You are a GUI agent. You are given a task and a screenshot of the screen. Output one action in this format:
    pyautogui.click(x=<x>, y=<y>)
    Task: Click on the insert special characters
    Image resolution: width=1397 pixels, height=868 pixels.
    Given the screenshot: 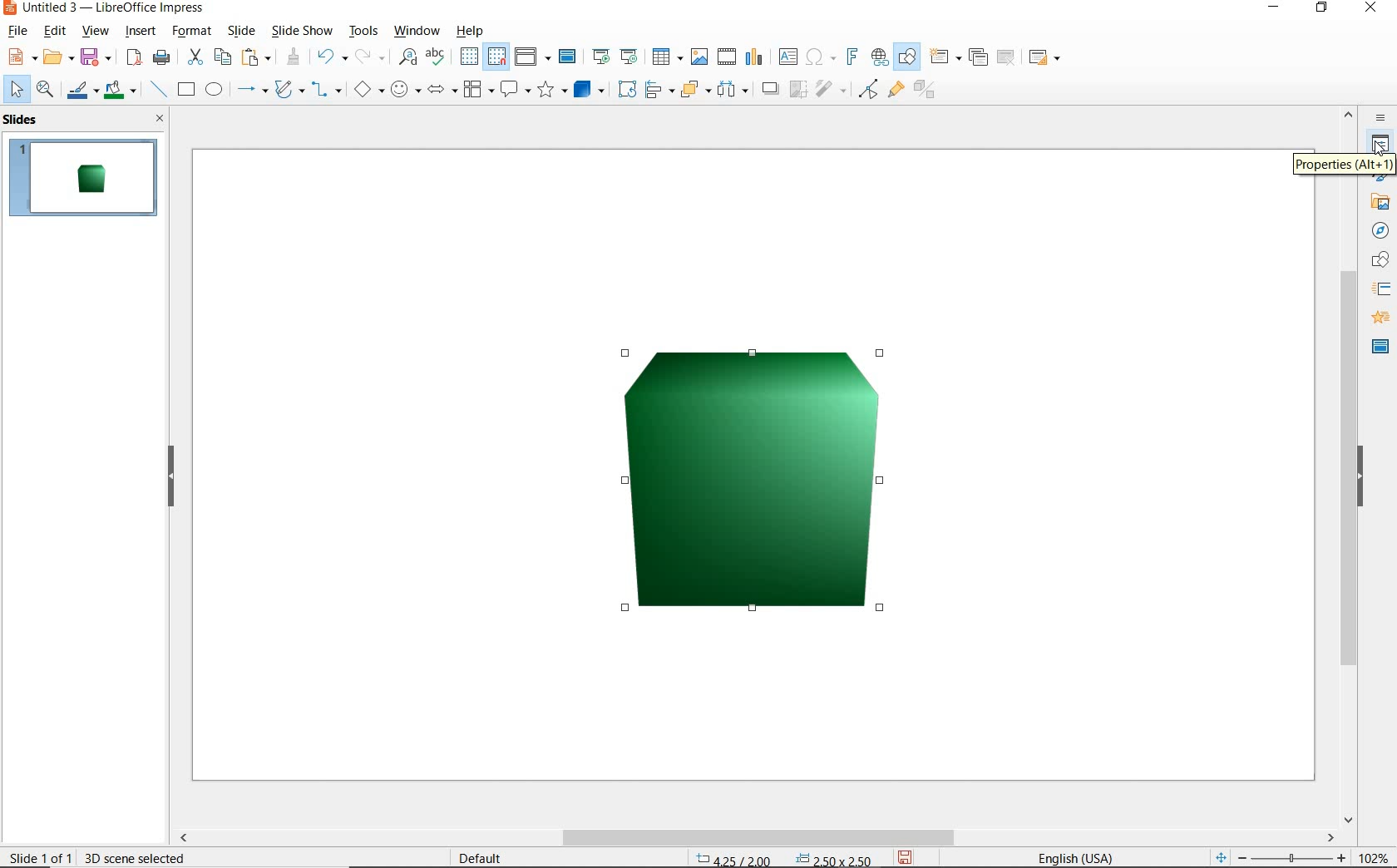 What is the action you would take?
    pyautogui.click(x=822, y=57)
    